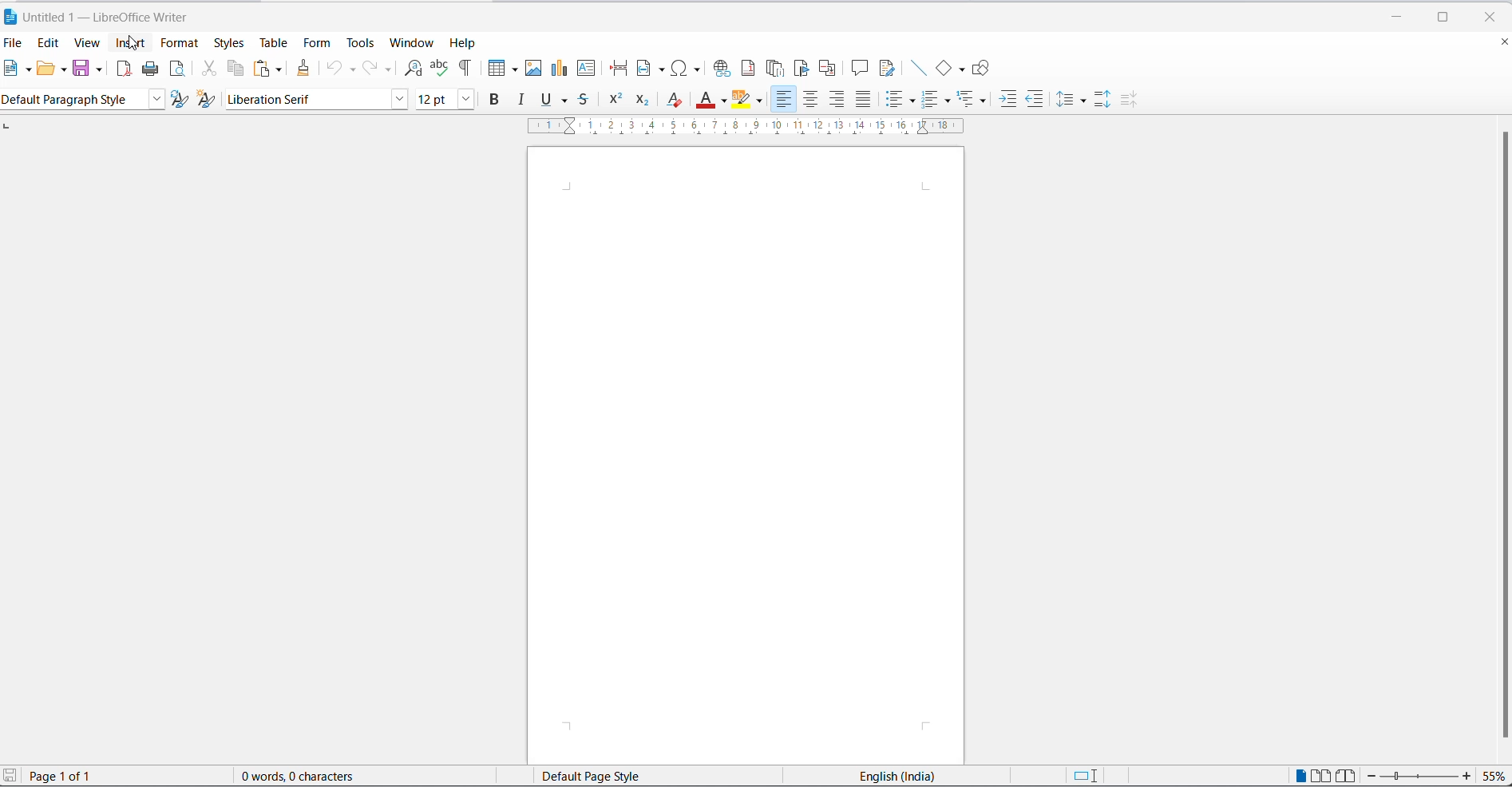 This screenshot has height=787, width=1512. What do you see at coordinates (10, 14) in the screenshot?
I see `LibreOffice Icon` at bounding box center [10, 14].